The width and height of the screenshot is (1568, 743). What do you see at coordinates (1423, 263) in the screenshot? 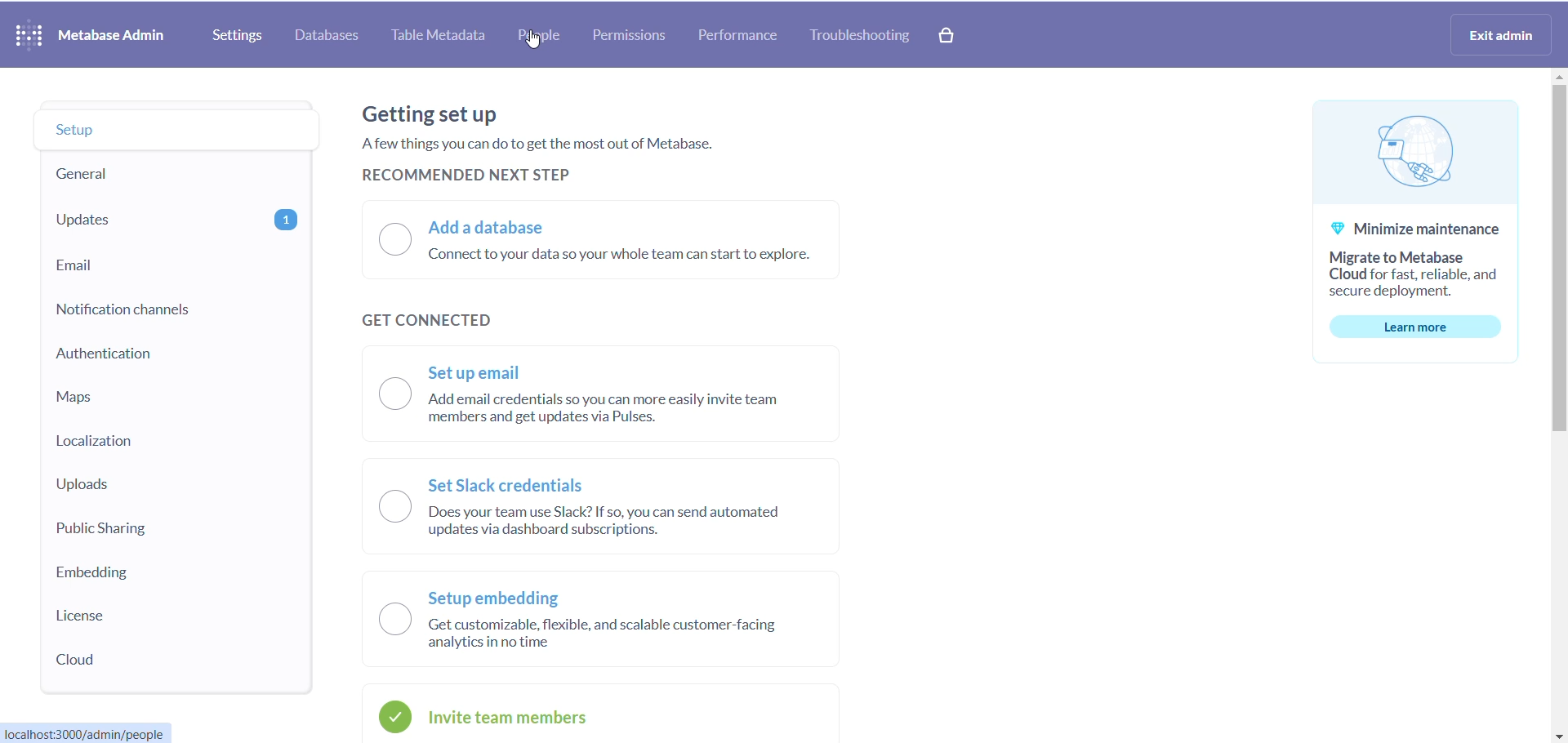
I see `text` at bounding box center [1423, 263].